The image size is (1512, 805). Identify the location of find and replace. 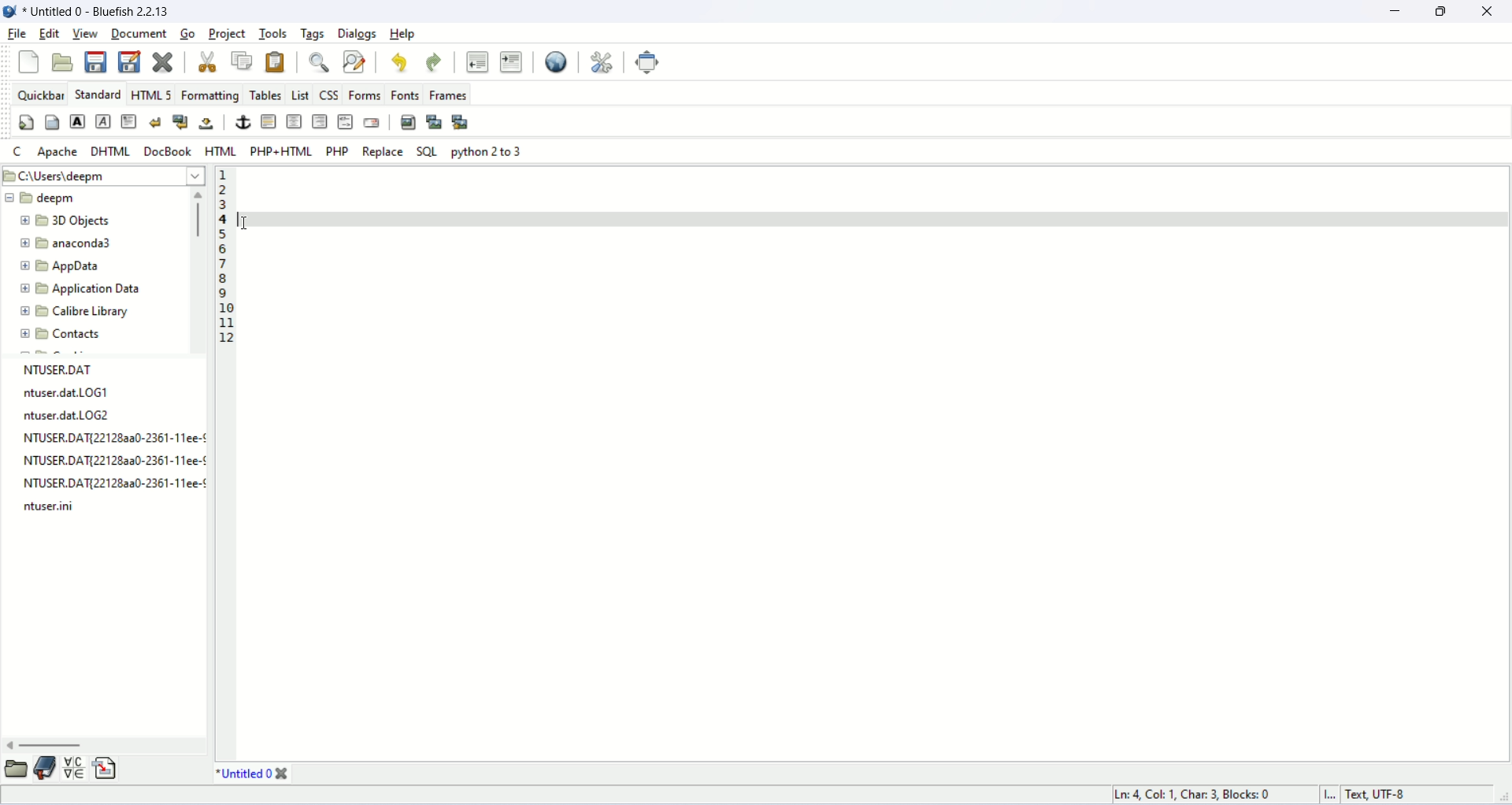
(352, 61).